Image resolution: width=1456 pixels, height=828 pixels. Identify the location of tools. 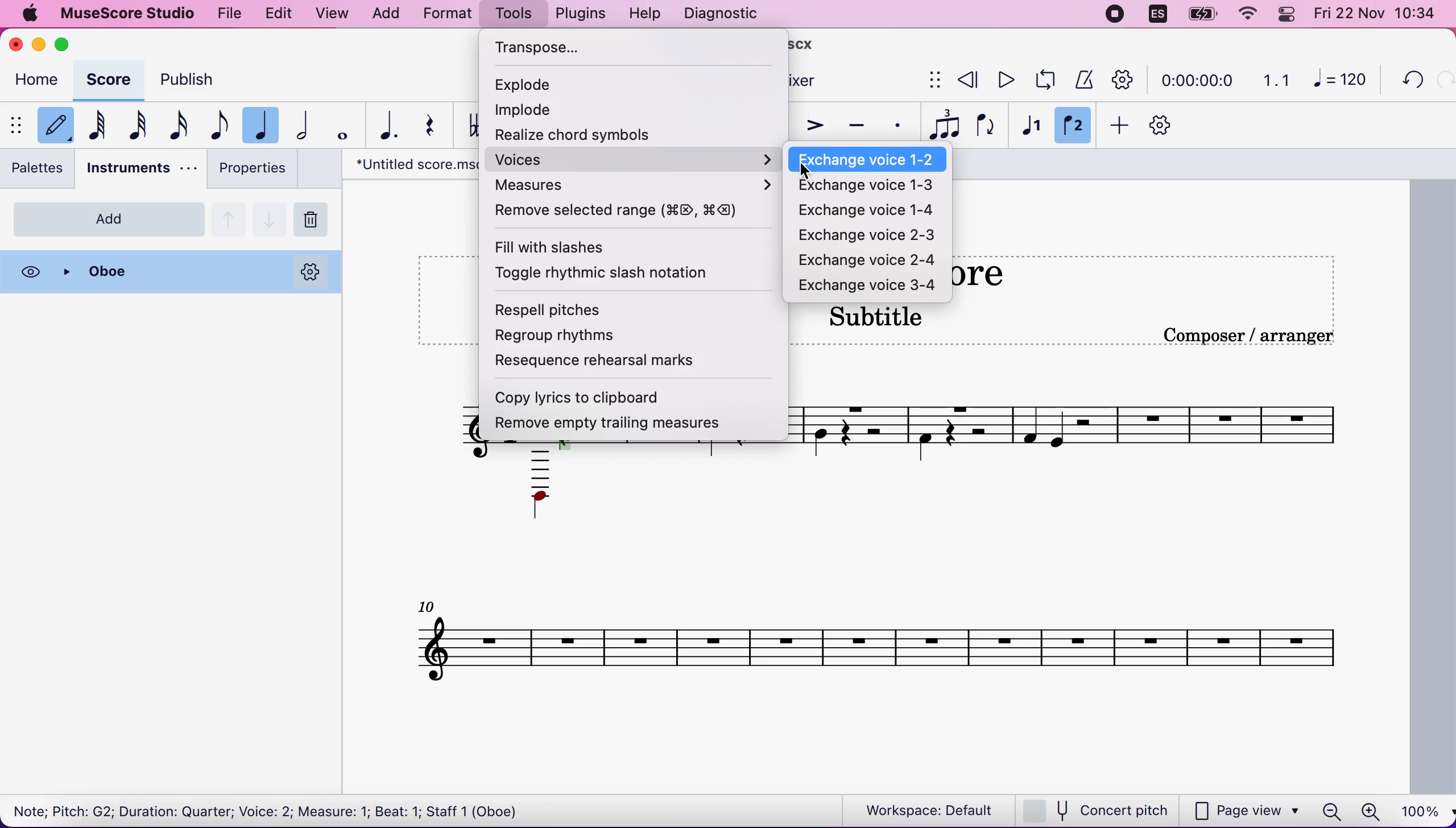
(514, 15).